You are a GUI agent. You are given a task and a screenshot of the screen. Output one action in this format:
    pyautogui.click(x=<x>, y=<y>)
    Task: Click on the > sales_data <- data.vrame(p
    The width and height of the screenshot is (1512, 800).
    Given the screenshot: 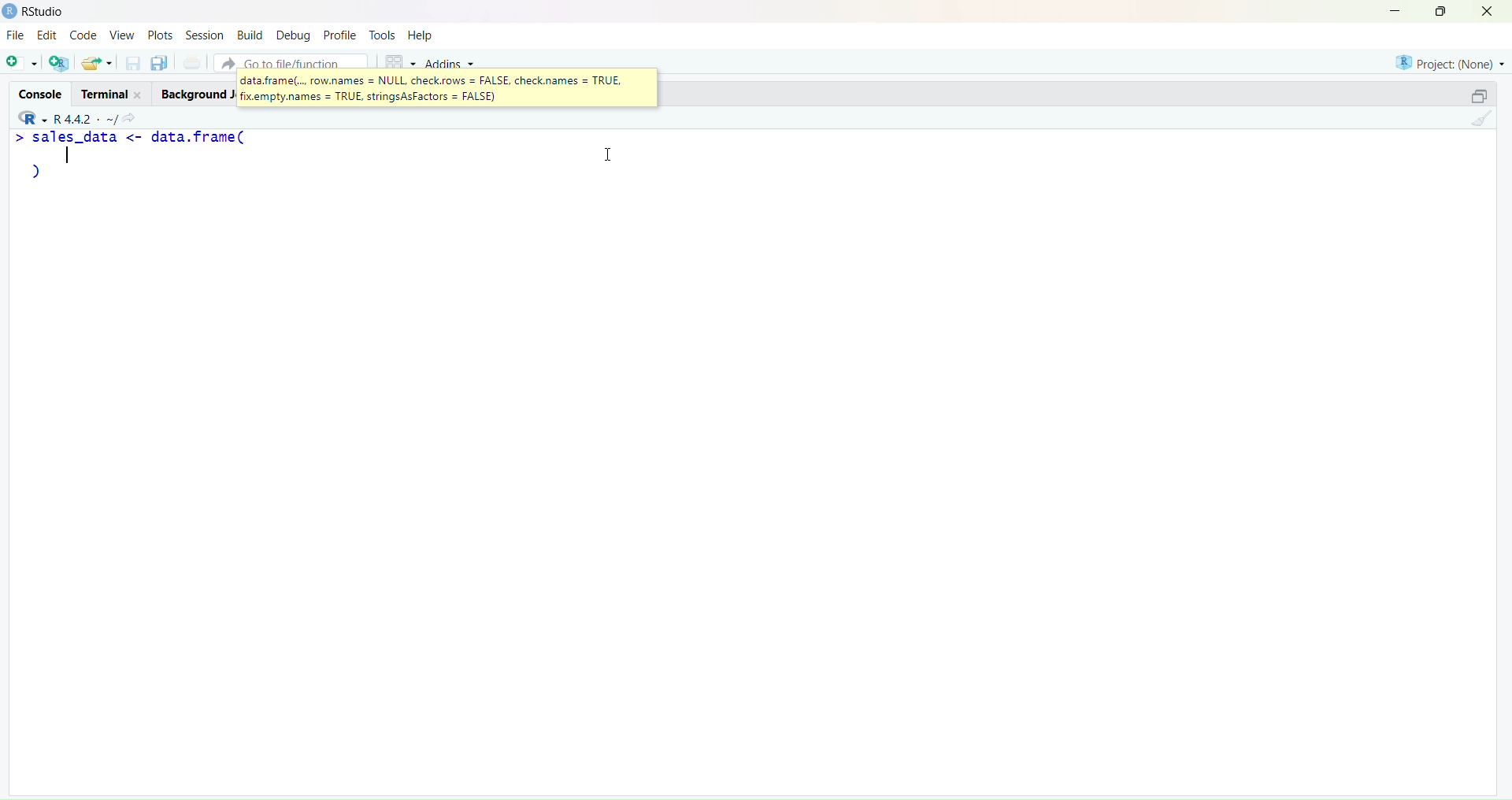 What is the action you would take?
    pyautogui.click(x=140, y=161)
    